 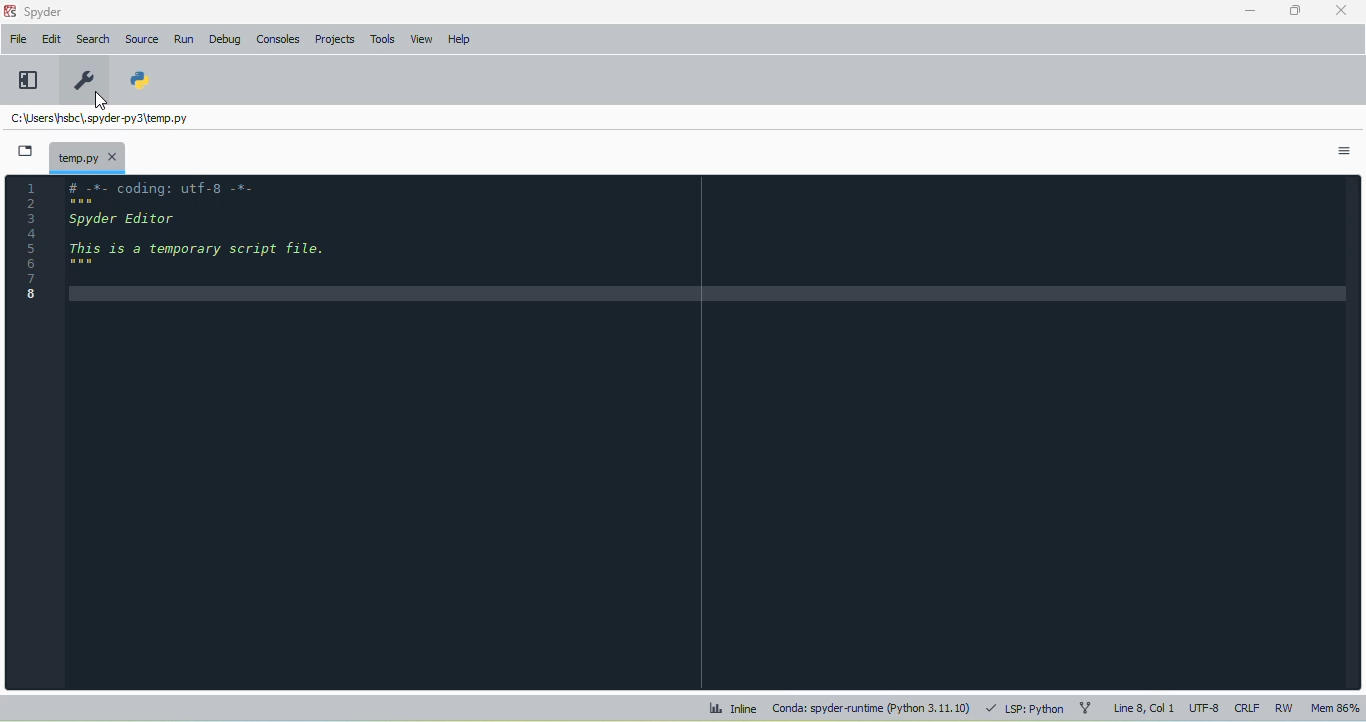 I want to click on file, so click(x=18, y=38).